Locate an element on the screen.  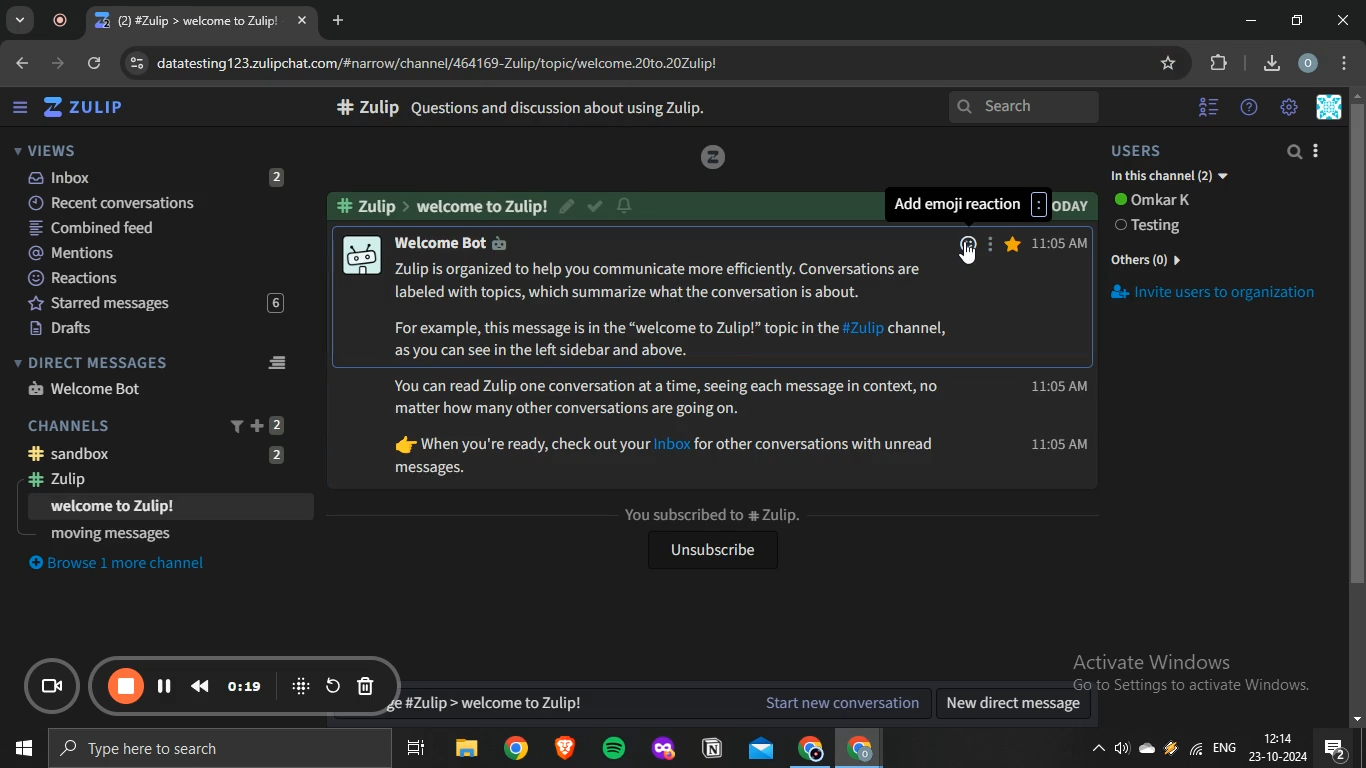
message actions is located at coordinates (988, 242).